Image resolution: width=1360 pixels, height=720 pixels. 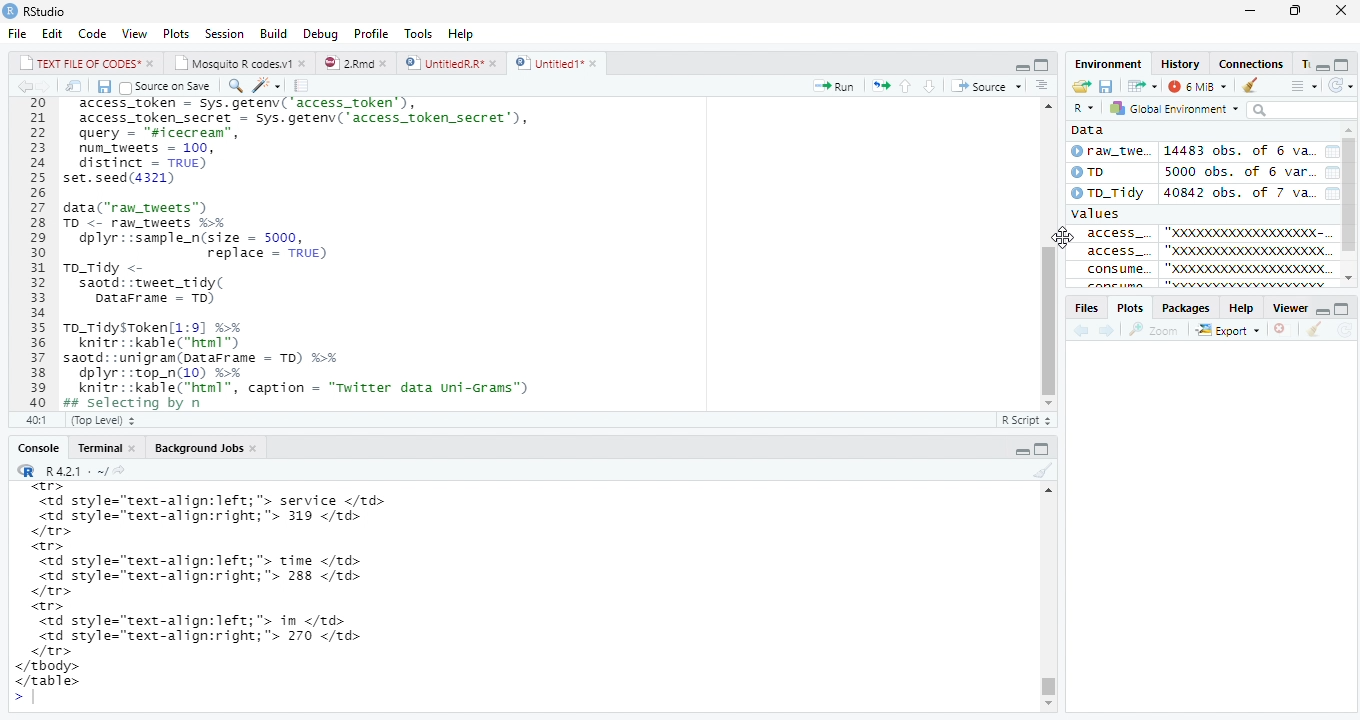 What do you see at coordinates (1344, 85) in the screenshot?
I see `refresh` at bounding box center [1344, 85].